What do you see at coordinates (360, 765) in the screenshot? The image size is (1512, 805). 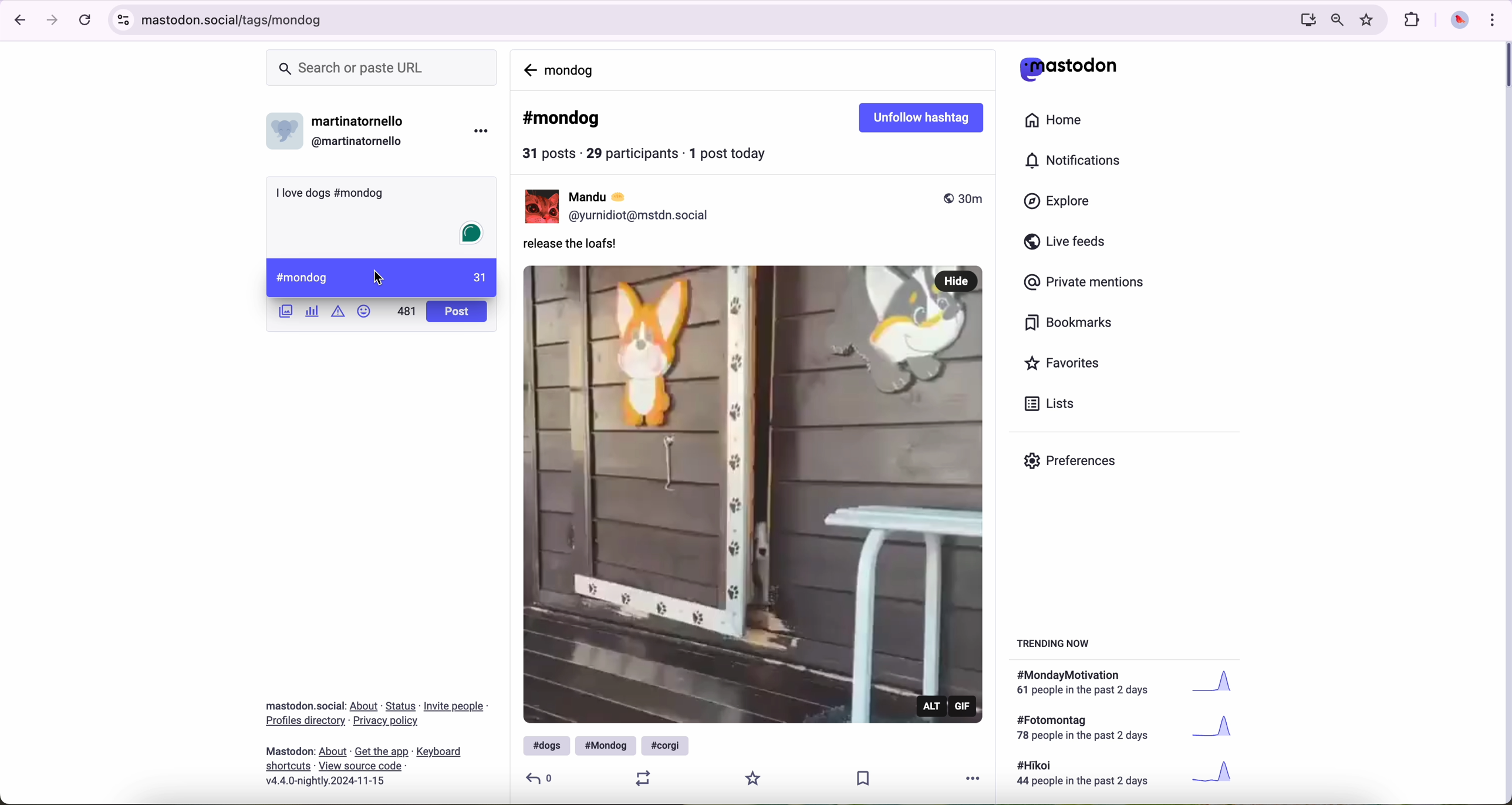 I see `link` at bounding box center [360, 765].